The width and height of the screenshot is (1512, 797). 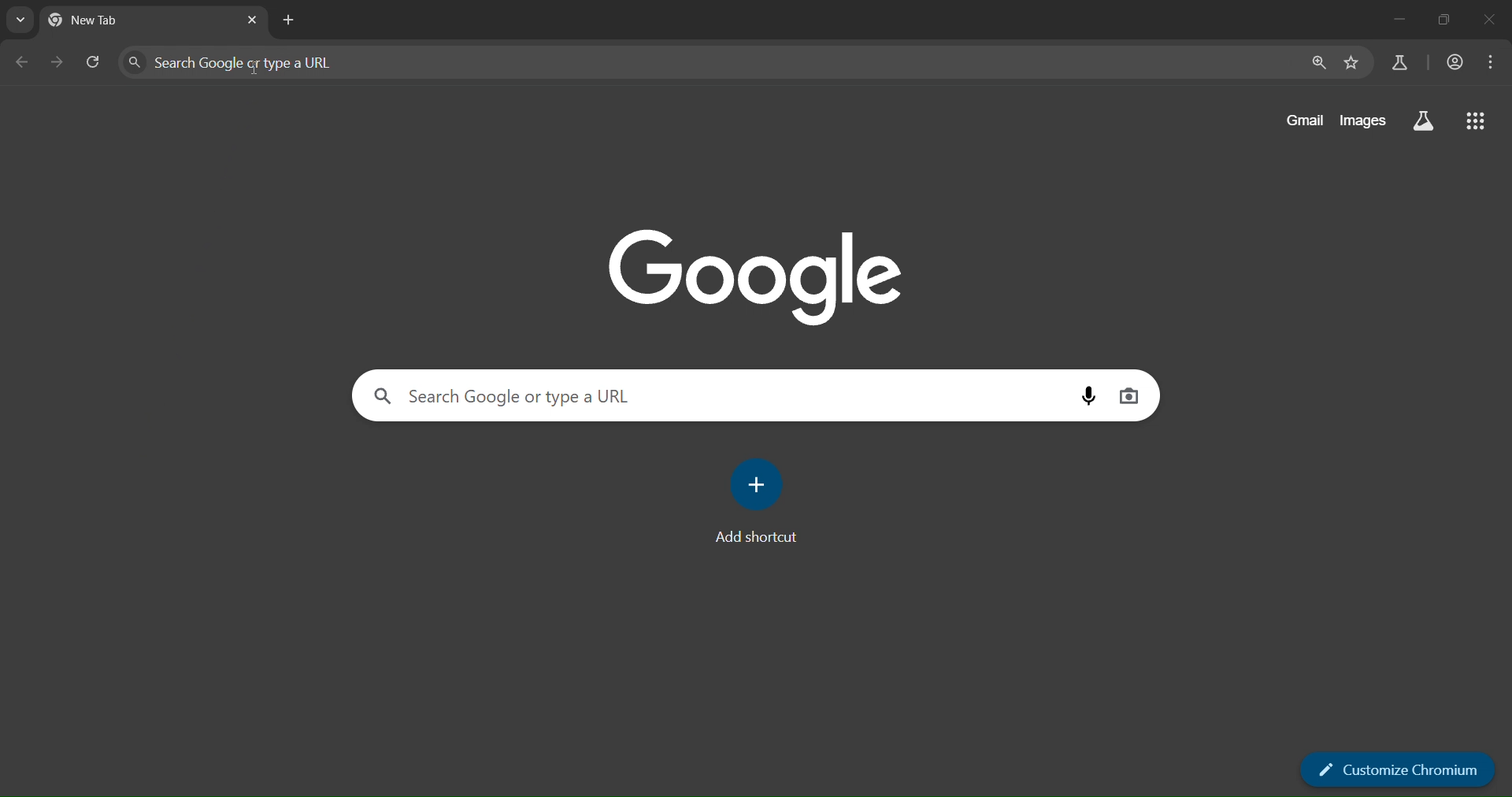 What do you see at coordinates (754, 502) in the screenshot?
I see `add shortcut` at bounding box center [754, 502].